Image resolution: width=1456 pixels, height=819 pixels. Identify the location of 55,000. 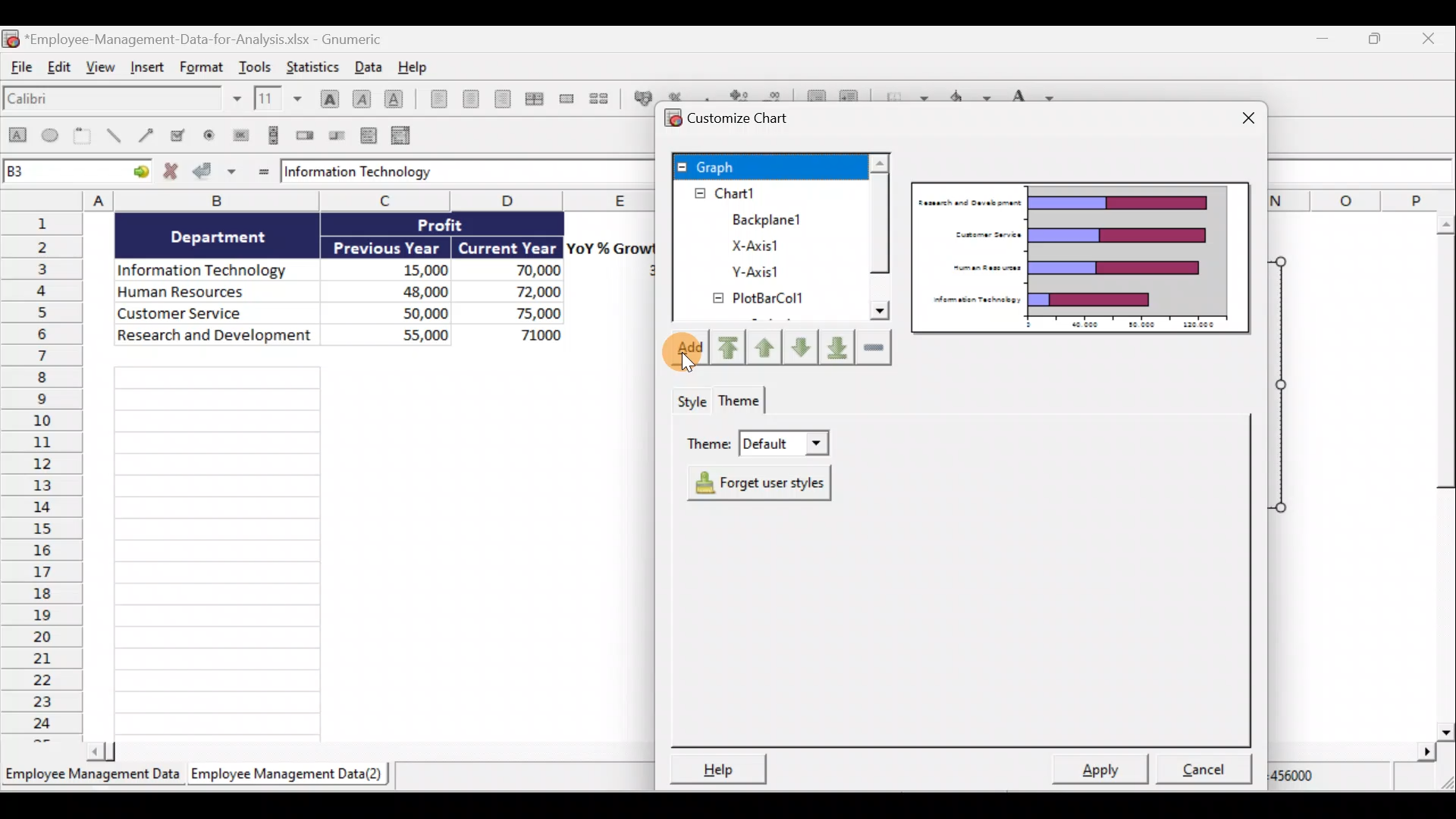
(406, 334).